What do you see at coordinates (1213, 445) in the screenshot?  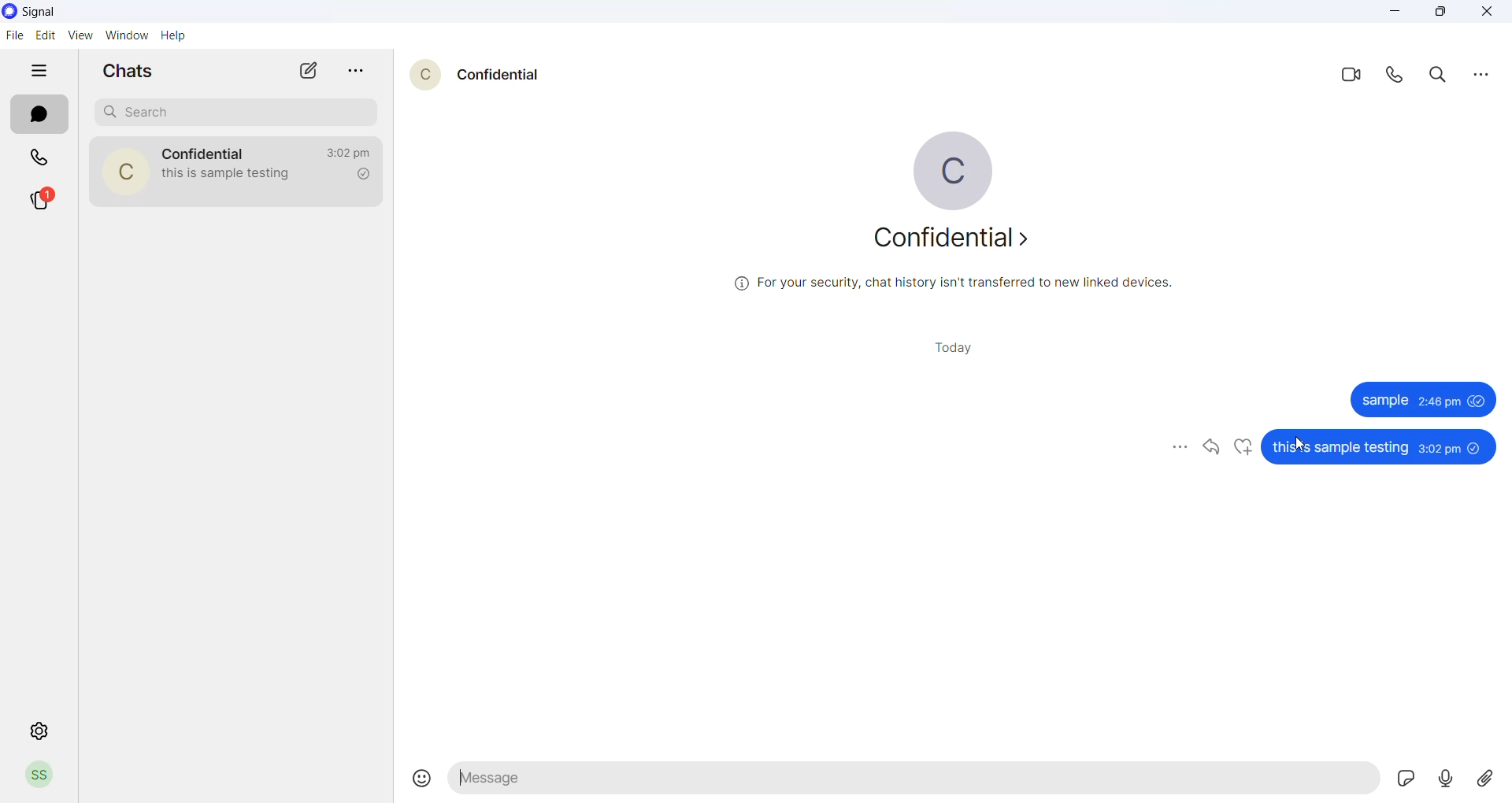 I see `share` at bounding box center [1213, 445].